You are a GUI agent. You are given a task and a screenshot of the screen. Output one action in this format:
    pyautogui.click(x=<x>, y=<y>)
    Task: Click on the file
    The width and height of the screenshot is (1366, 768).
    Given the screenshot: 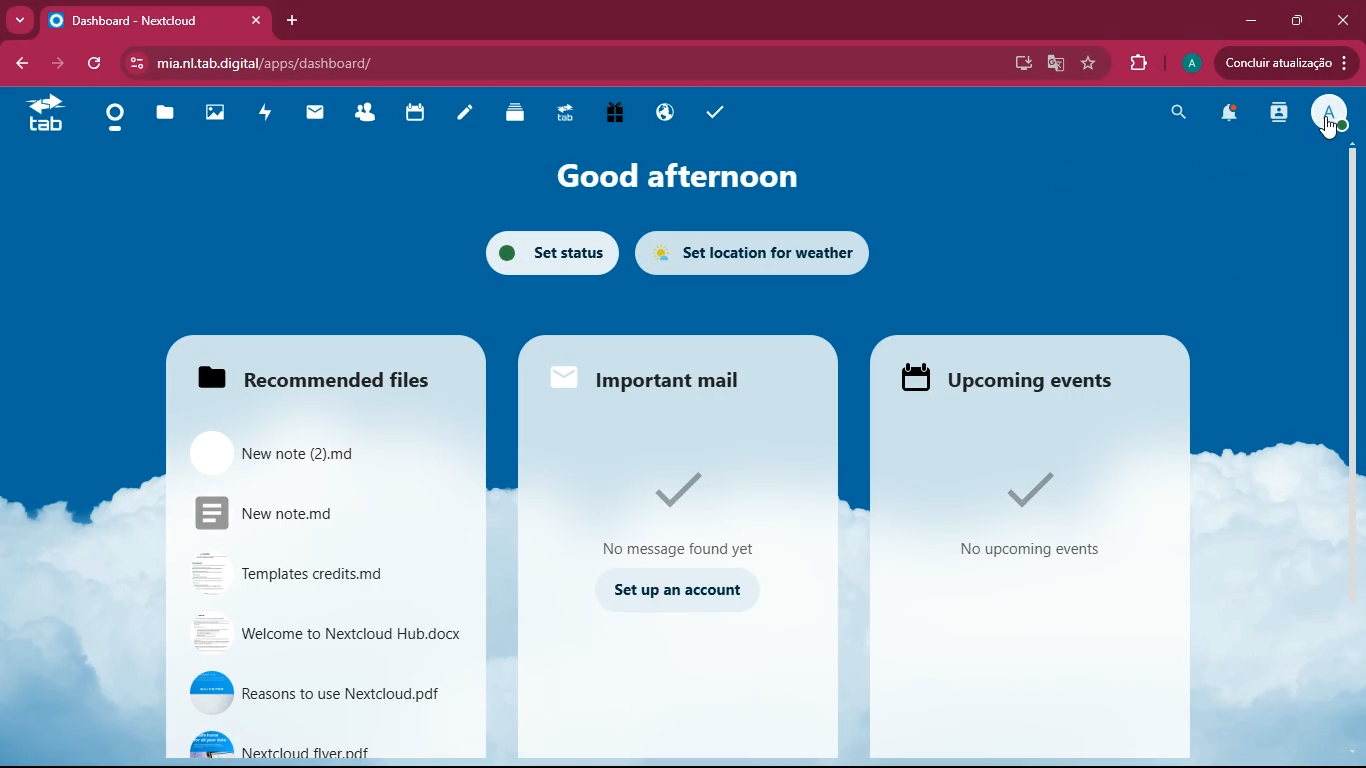 What is the action you would take?
    pyautogui.click(x=318, y=513)
    